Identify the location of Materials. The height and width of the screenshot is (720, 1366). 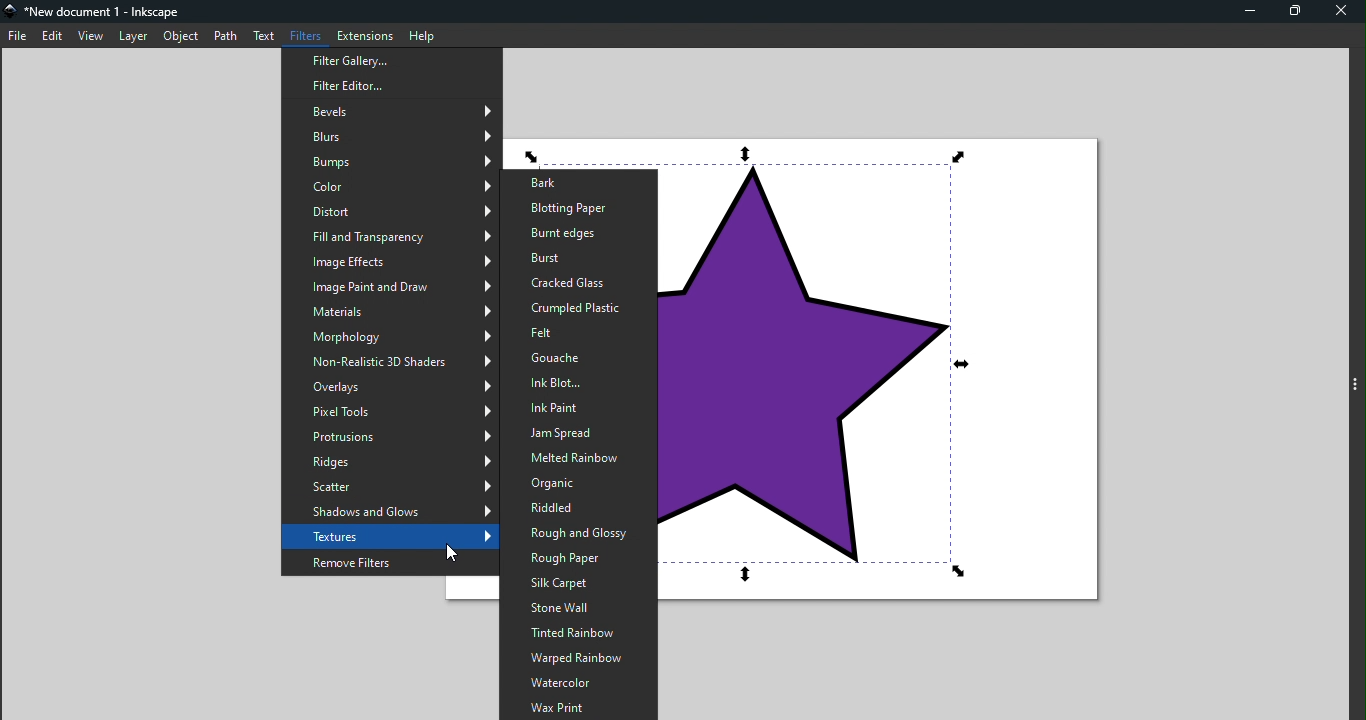
(388, 309).